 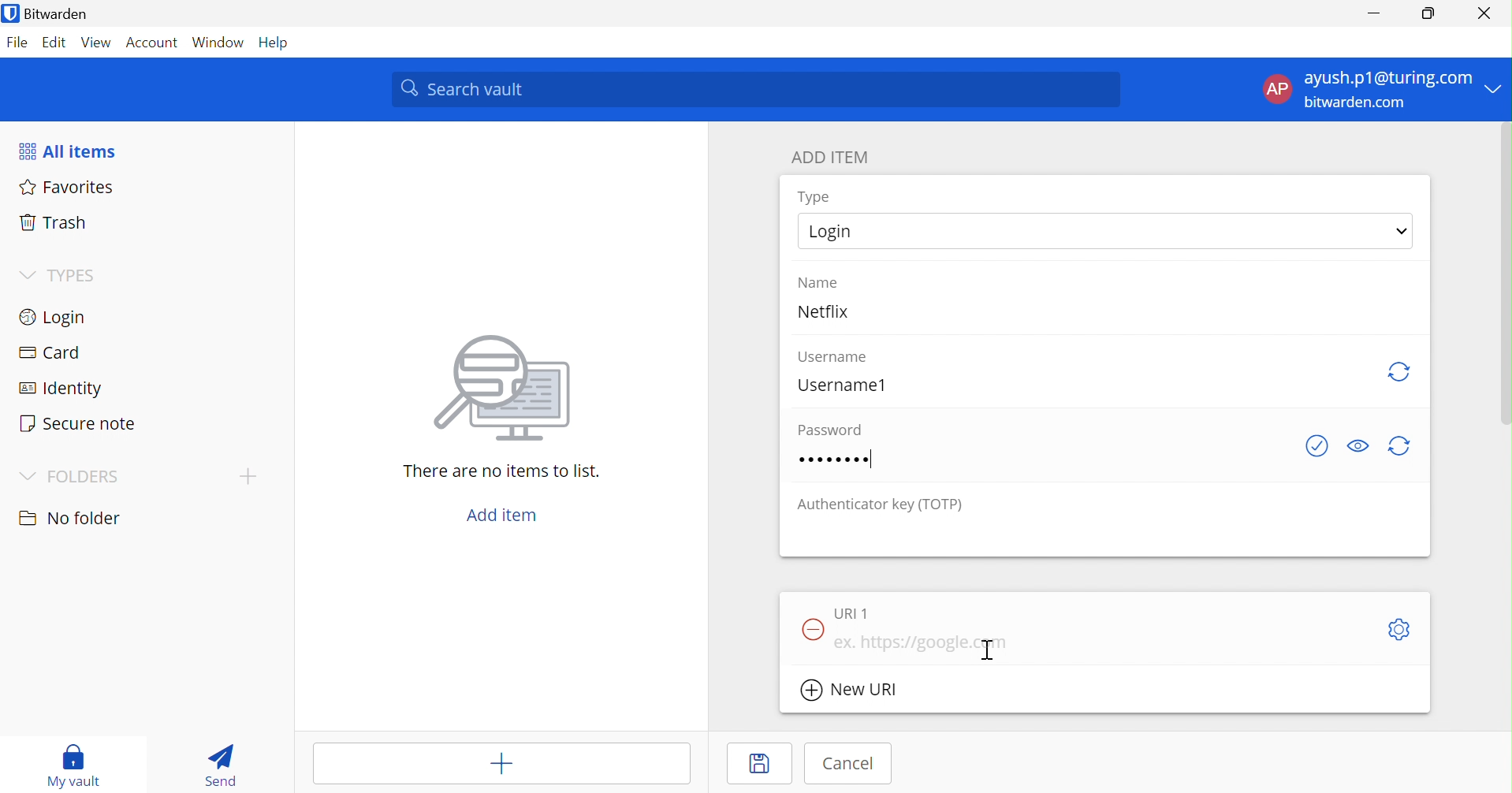 I want to click on Password, so click(x=828, y=429).